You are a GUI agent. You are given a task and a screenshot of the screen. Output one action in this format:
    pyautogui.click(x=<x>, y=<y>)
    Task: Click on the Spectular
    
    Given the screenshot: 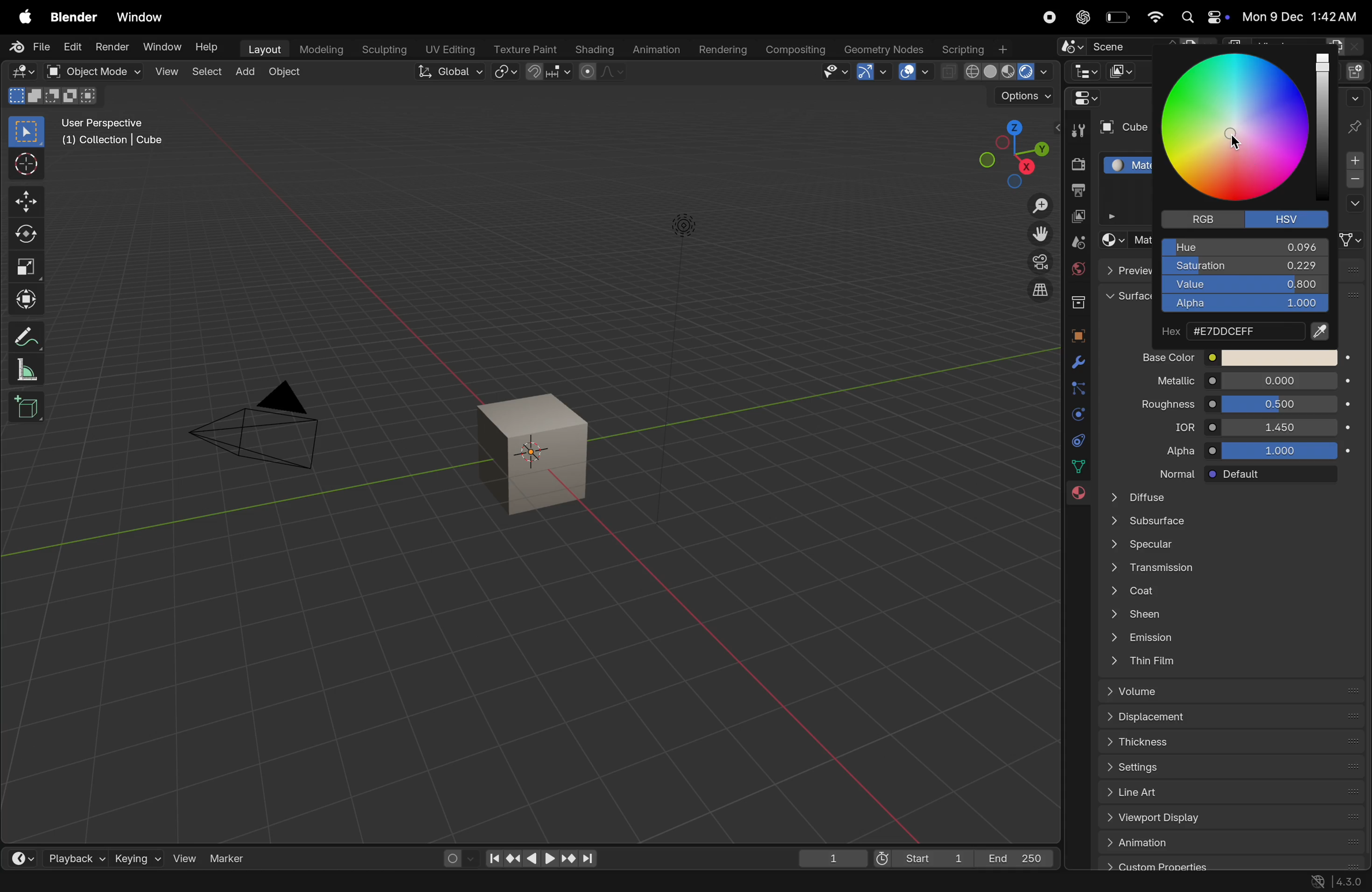 What is the action you would take?
    pyautogui.click(x=1226, y=547)
    